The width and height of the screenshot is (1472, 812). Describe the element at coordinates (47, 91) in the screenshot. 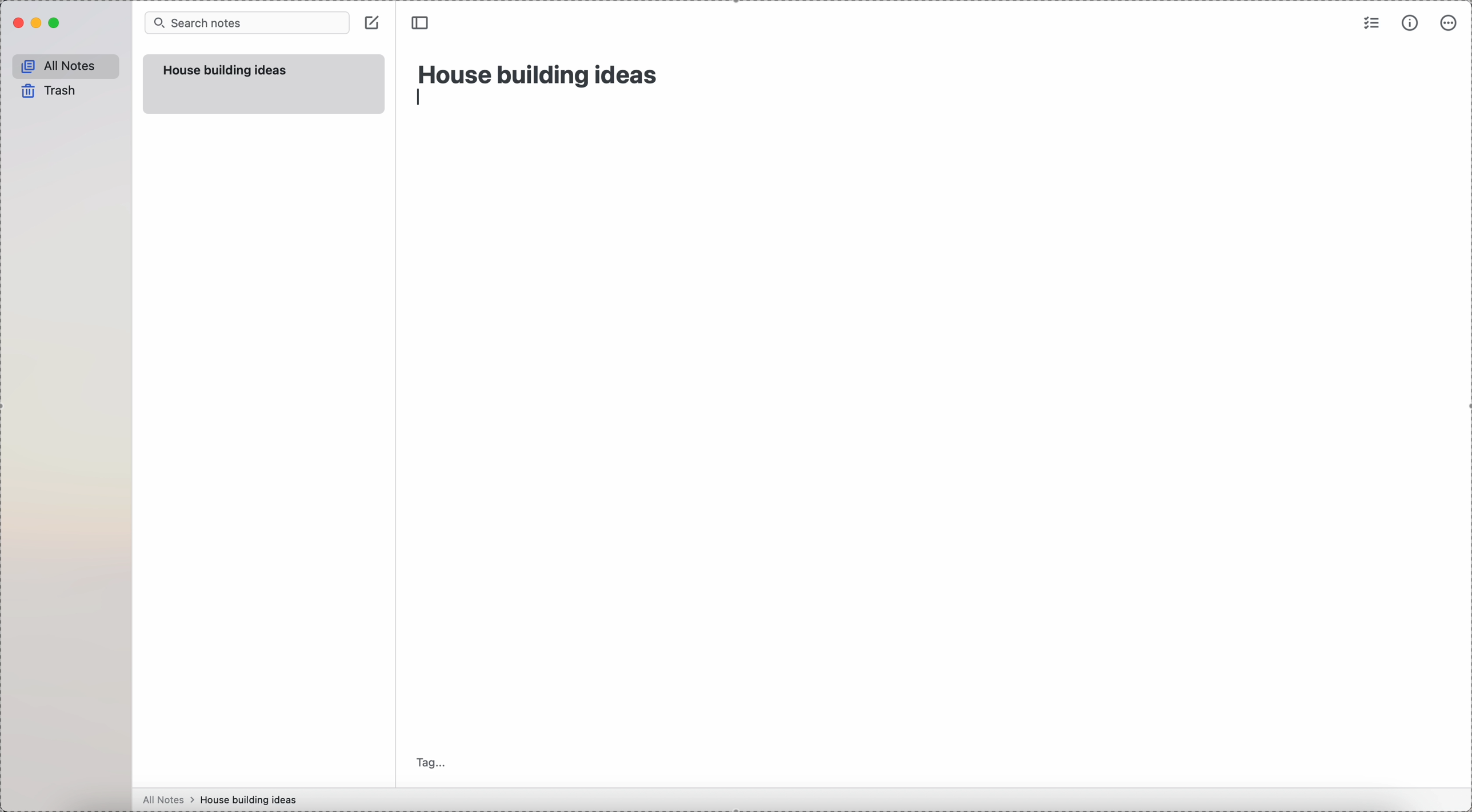

I see `trash` at that location.